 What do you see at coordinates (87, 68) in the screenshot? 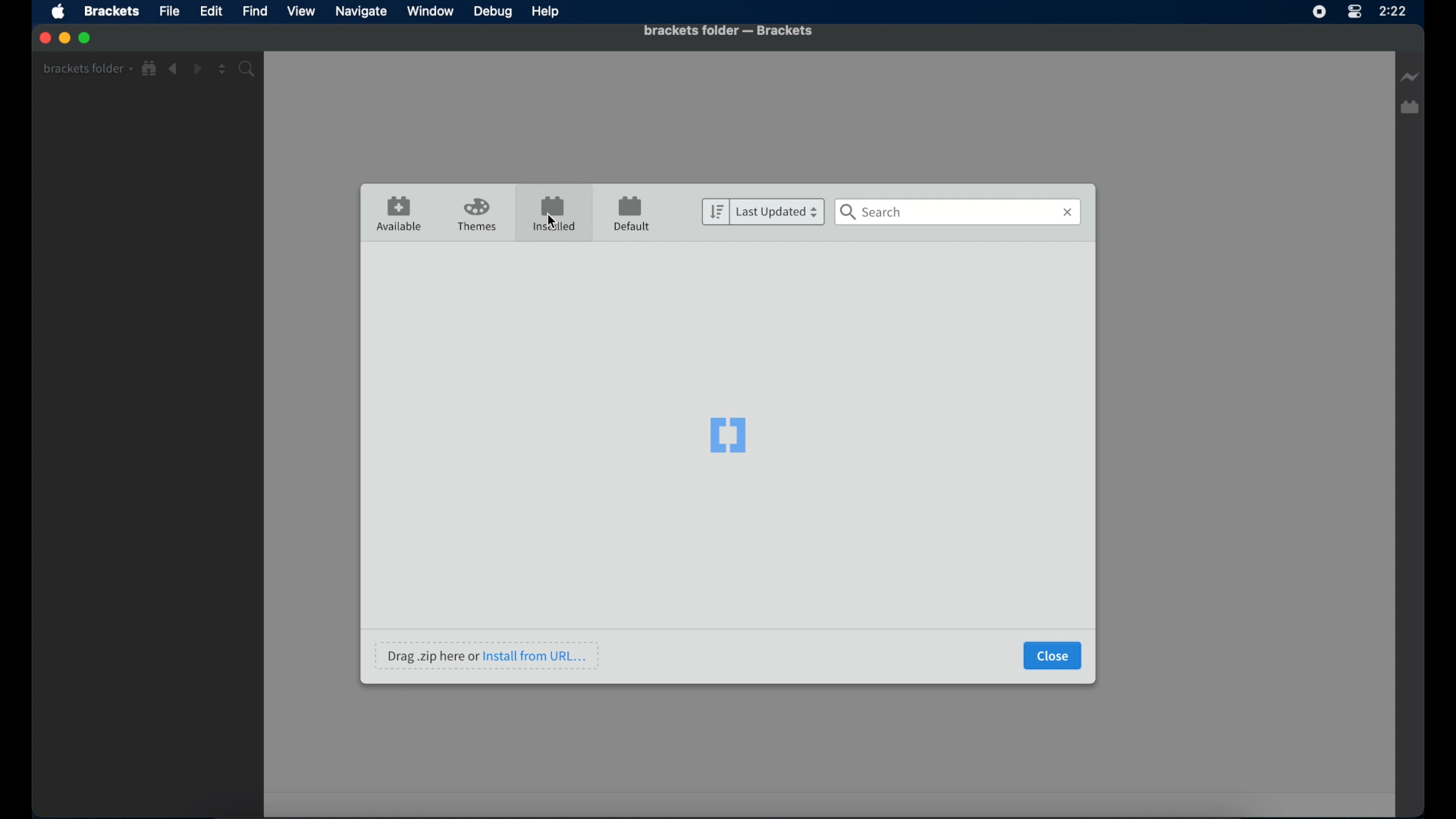
I see `brackets folder` at bounding box center [87, 68].